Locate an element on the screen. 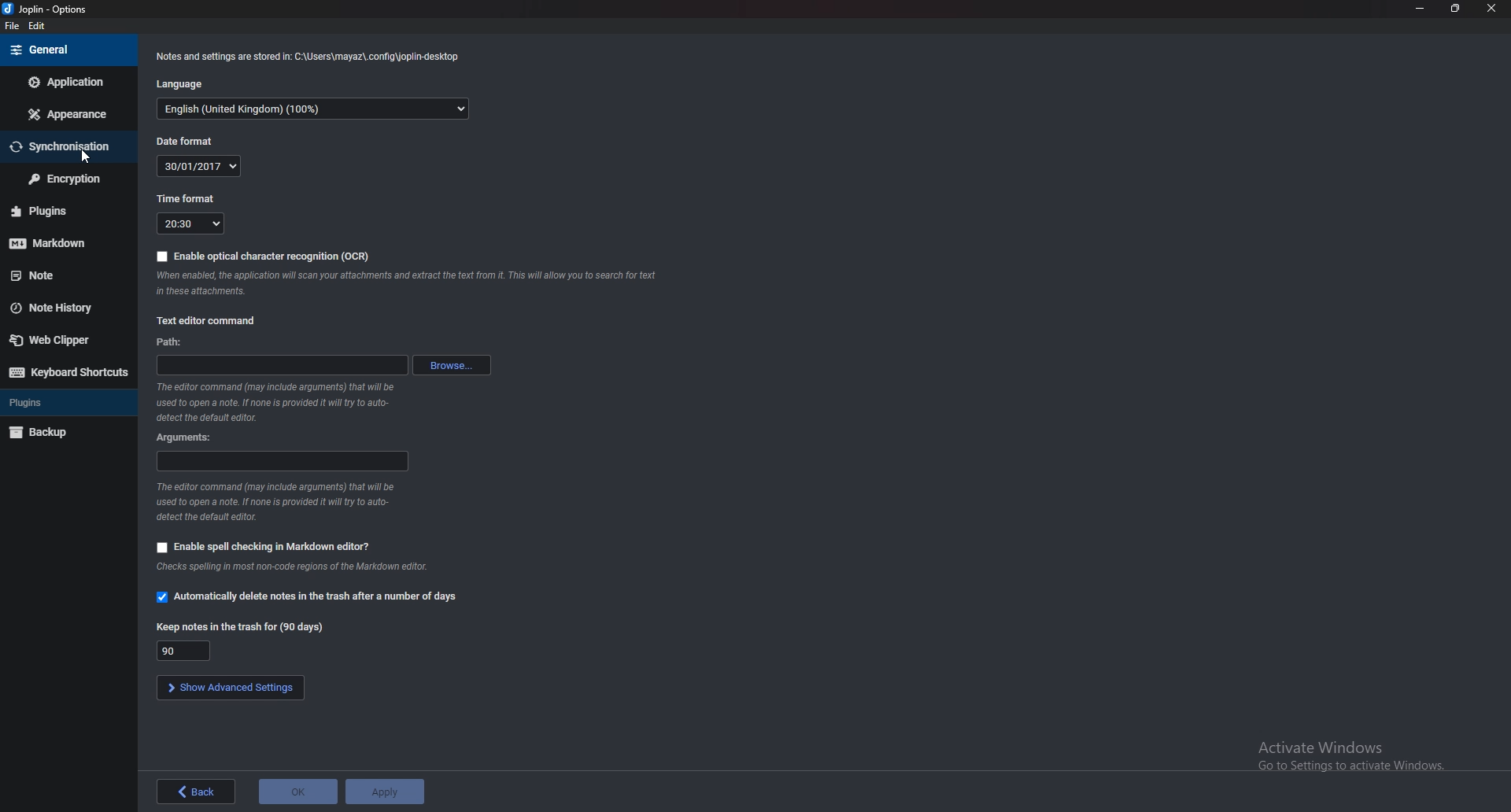 This screenshot has height=812, width=1511. apply is located at coordinates (385, 792).